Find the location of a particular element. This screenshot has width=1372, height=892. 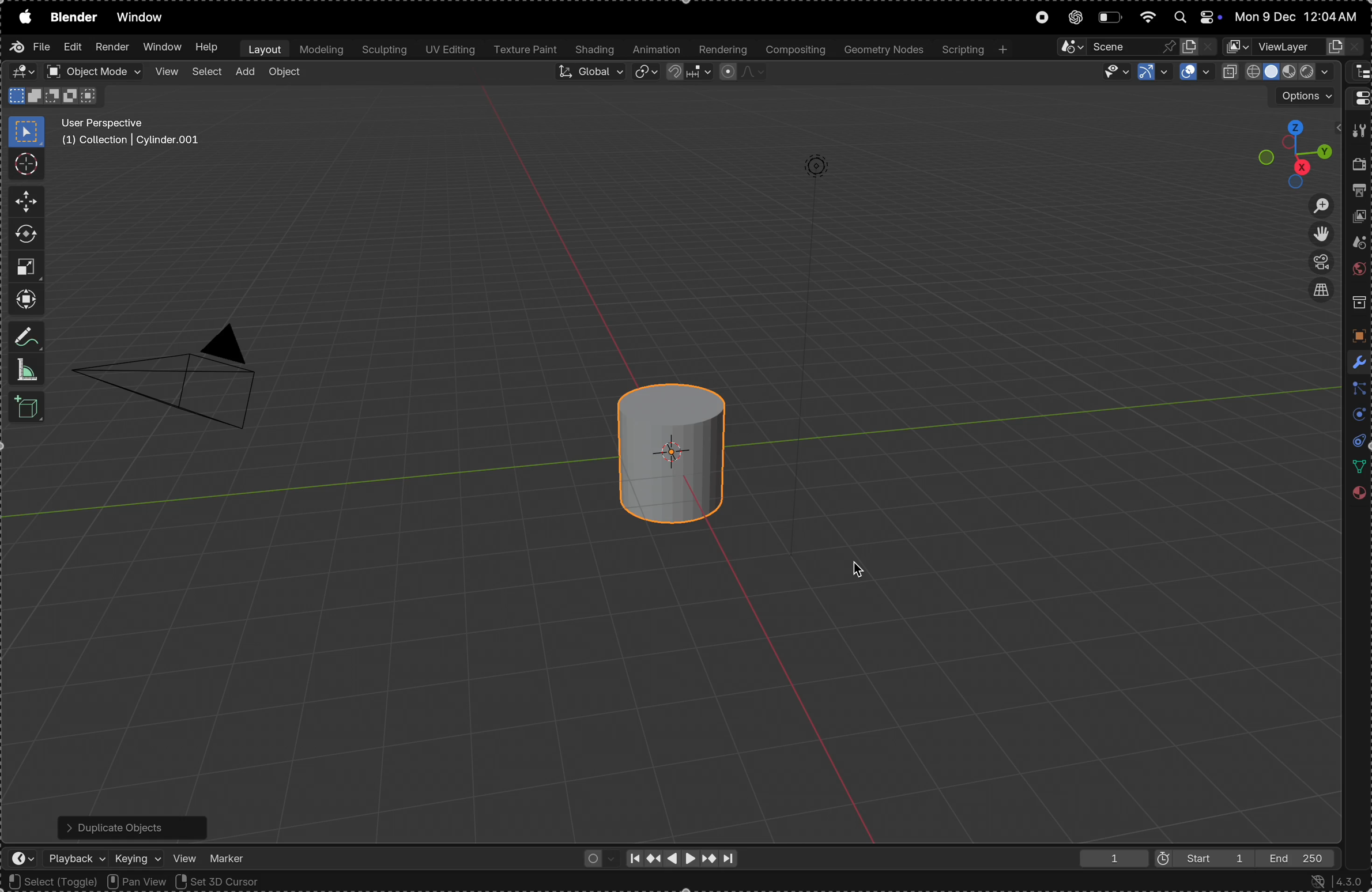

wifi is located at coordinates (1147, 16).